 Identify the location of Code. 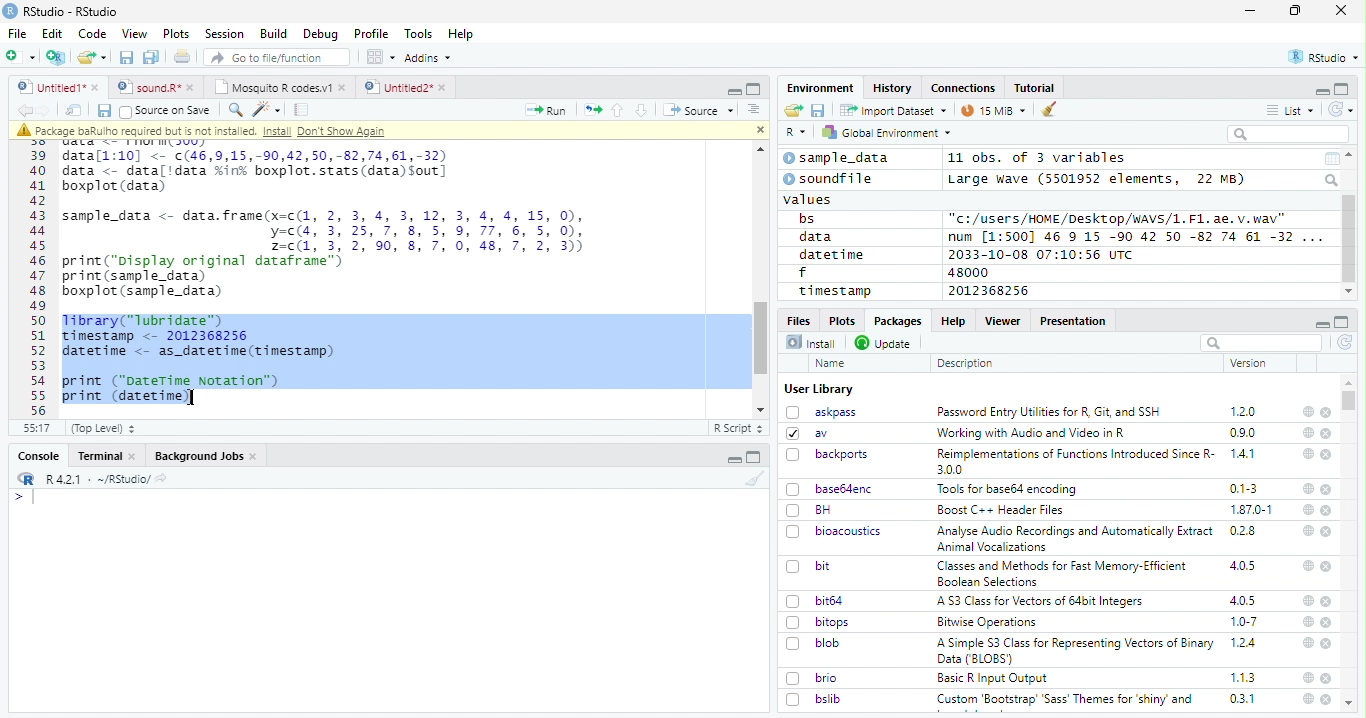
(91, 34).